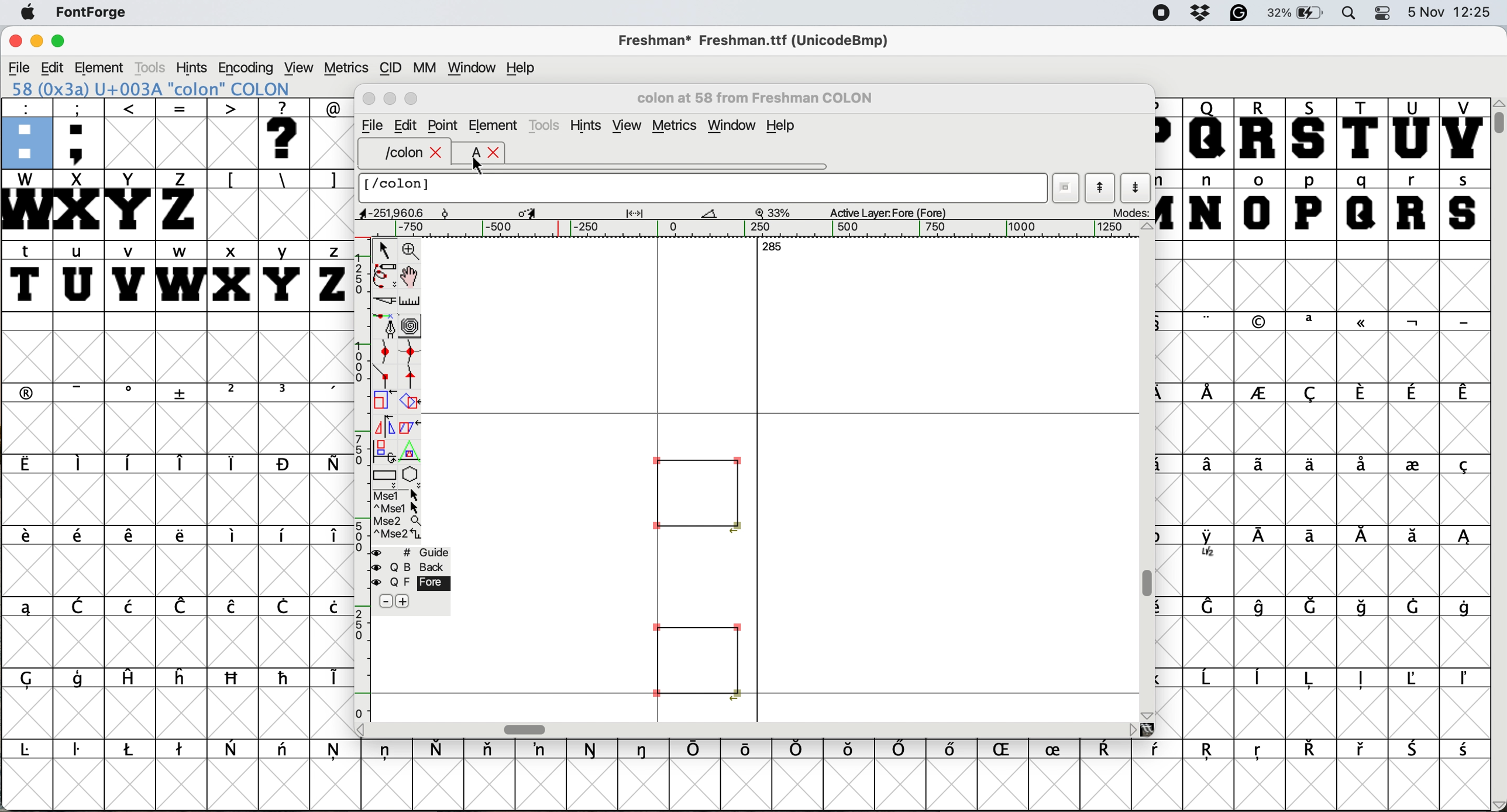  What do you see at coordinates (284, 608) in the screenshot?
I see `symbol` at bounding box center [284, 608].